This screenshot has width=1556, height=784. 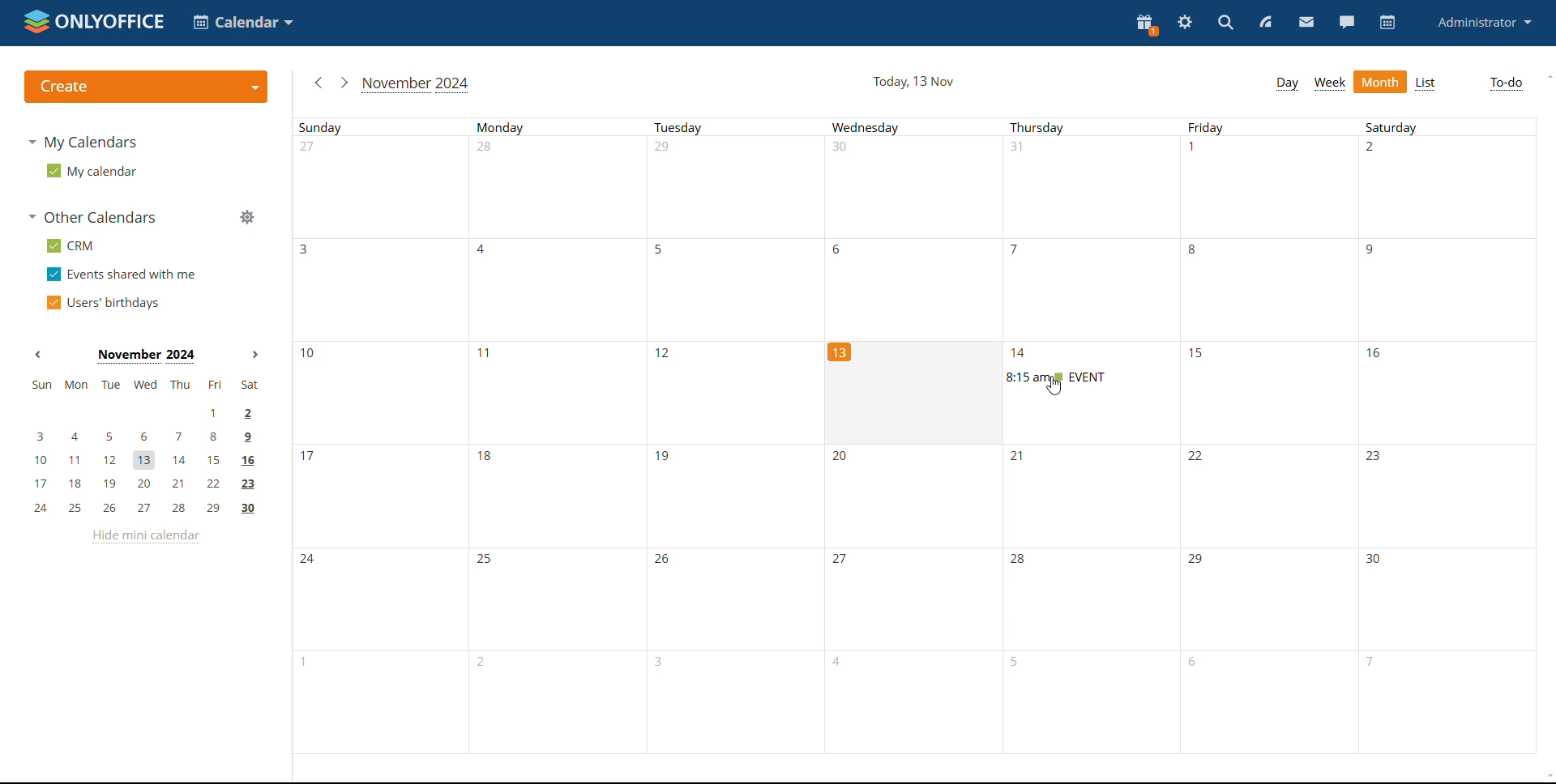 I want to click on settings, so click(x=1186, y=23).